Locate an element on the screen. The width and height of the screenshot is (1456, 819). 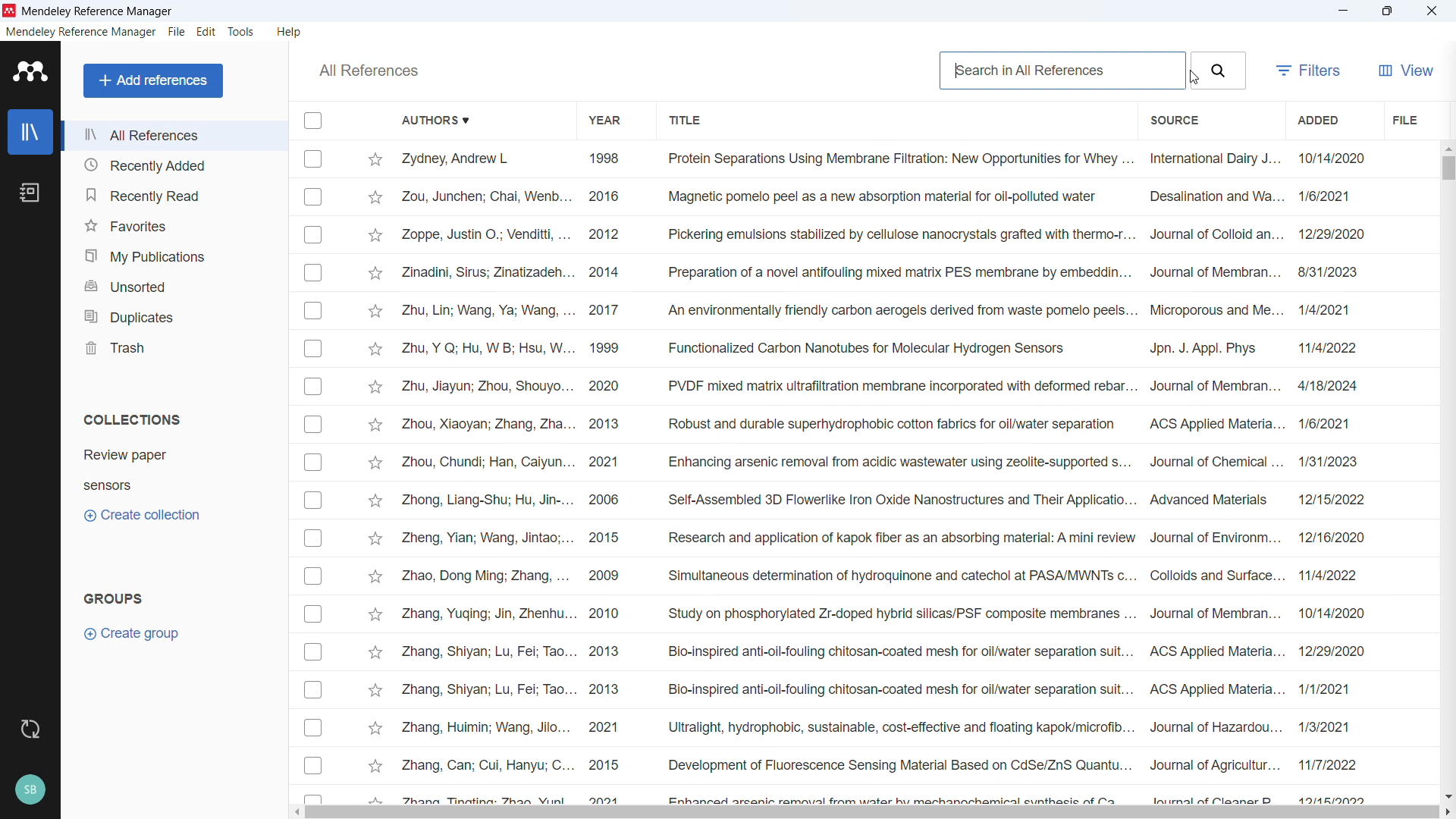
Authors of individual entries  is located at coordinates (488, 475).